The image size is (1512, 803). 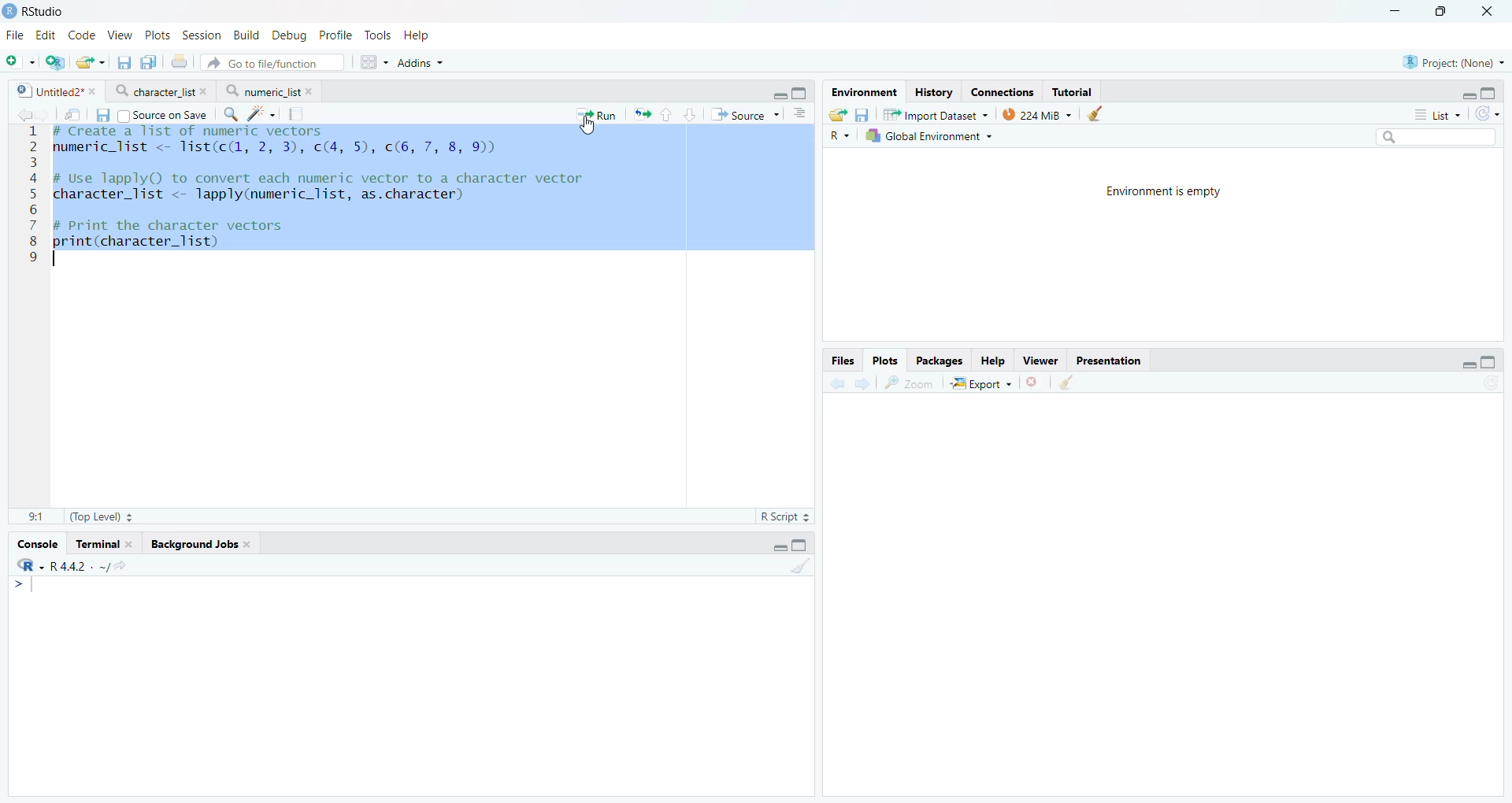 I want to click on Connections, so click(x=1002, y=91).